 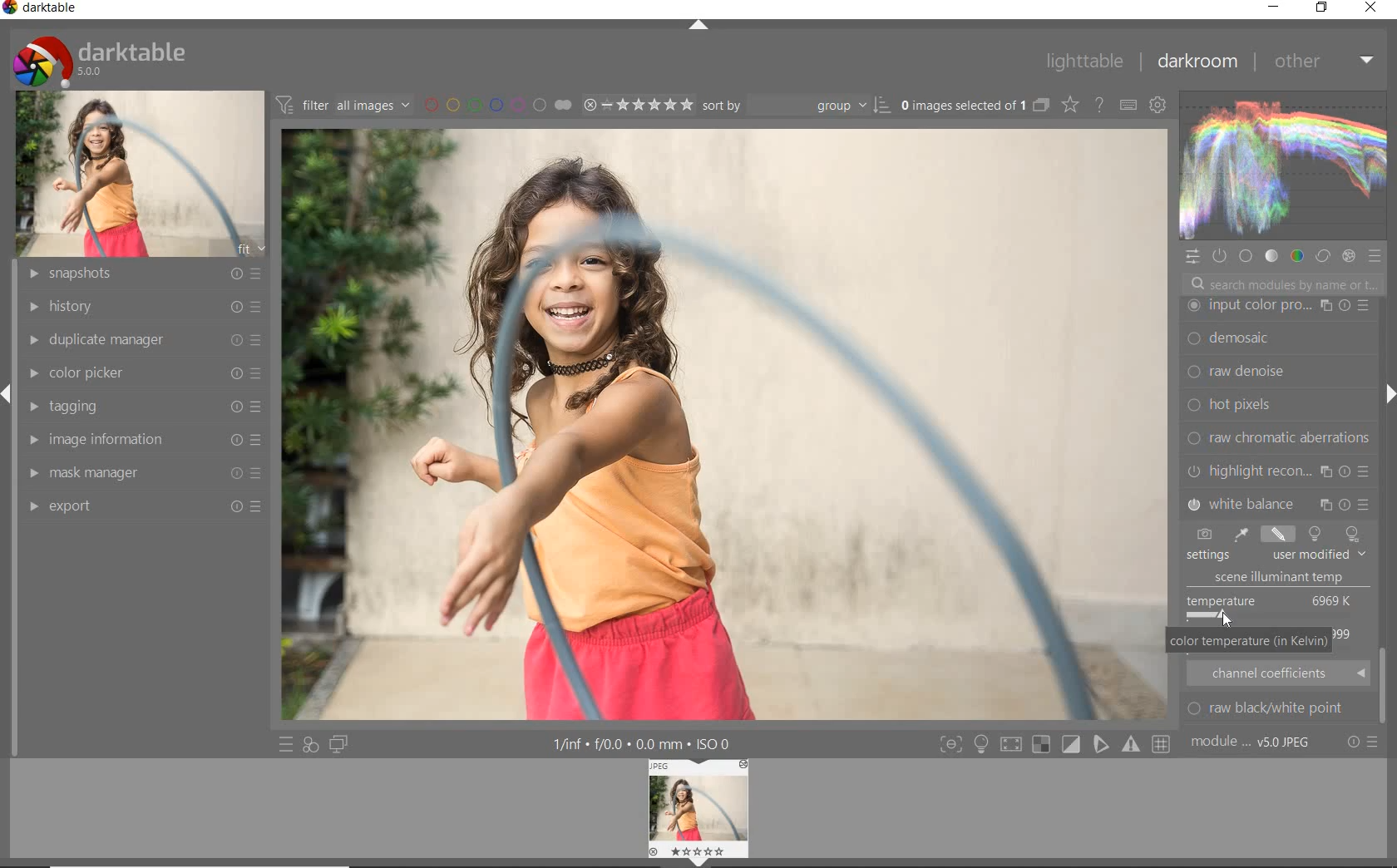 What do you see at coordinates (1102, 747) in the screenshot?
I see `toggle mode ` at bounding box center [1102, 747].